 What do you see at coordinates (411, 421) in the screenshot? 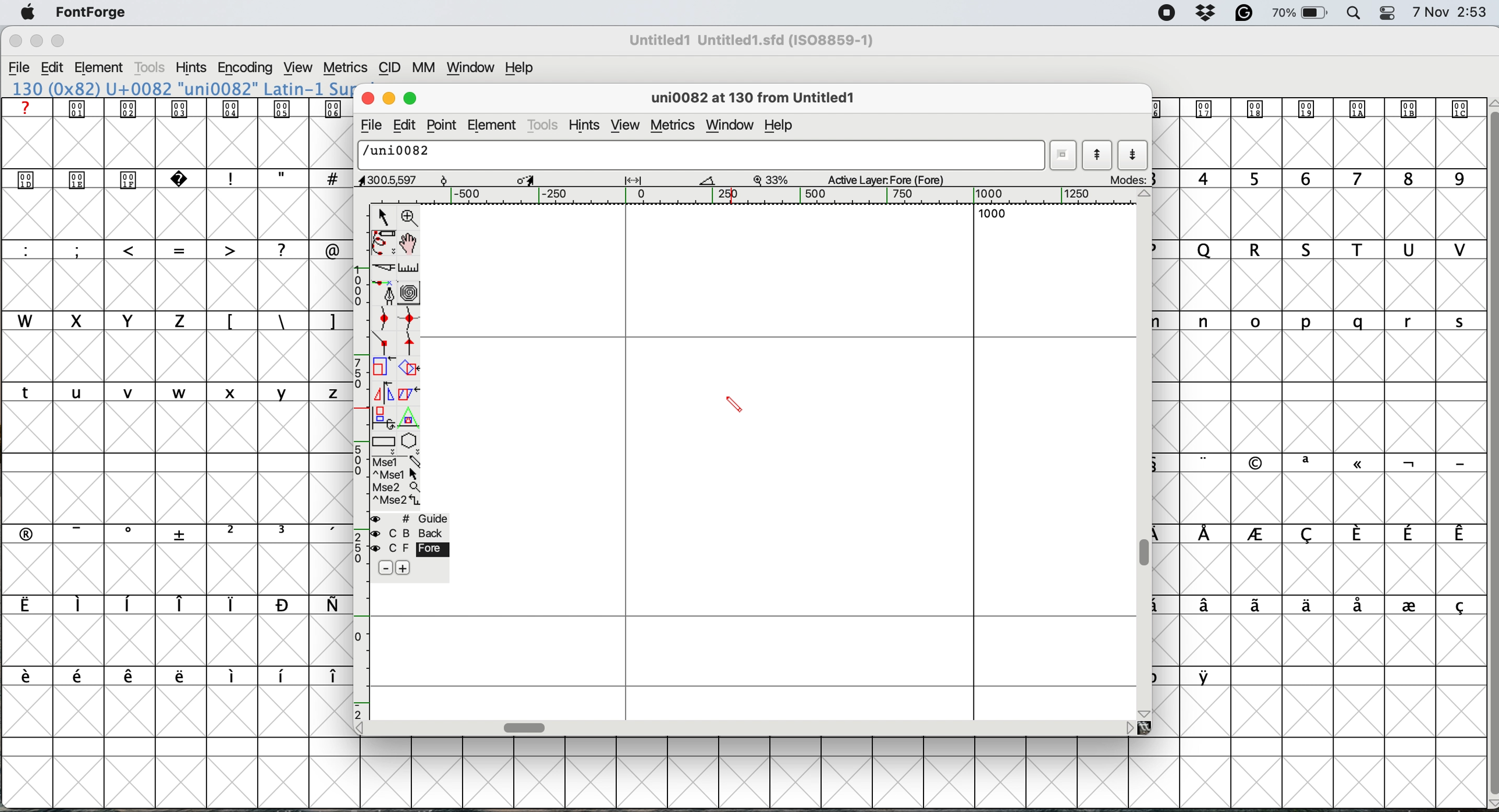
I see `perform a perspective transformation on selection` at bounding box center [411, 421].